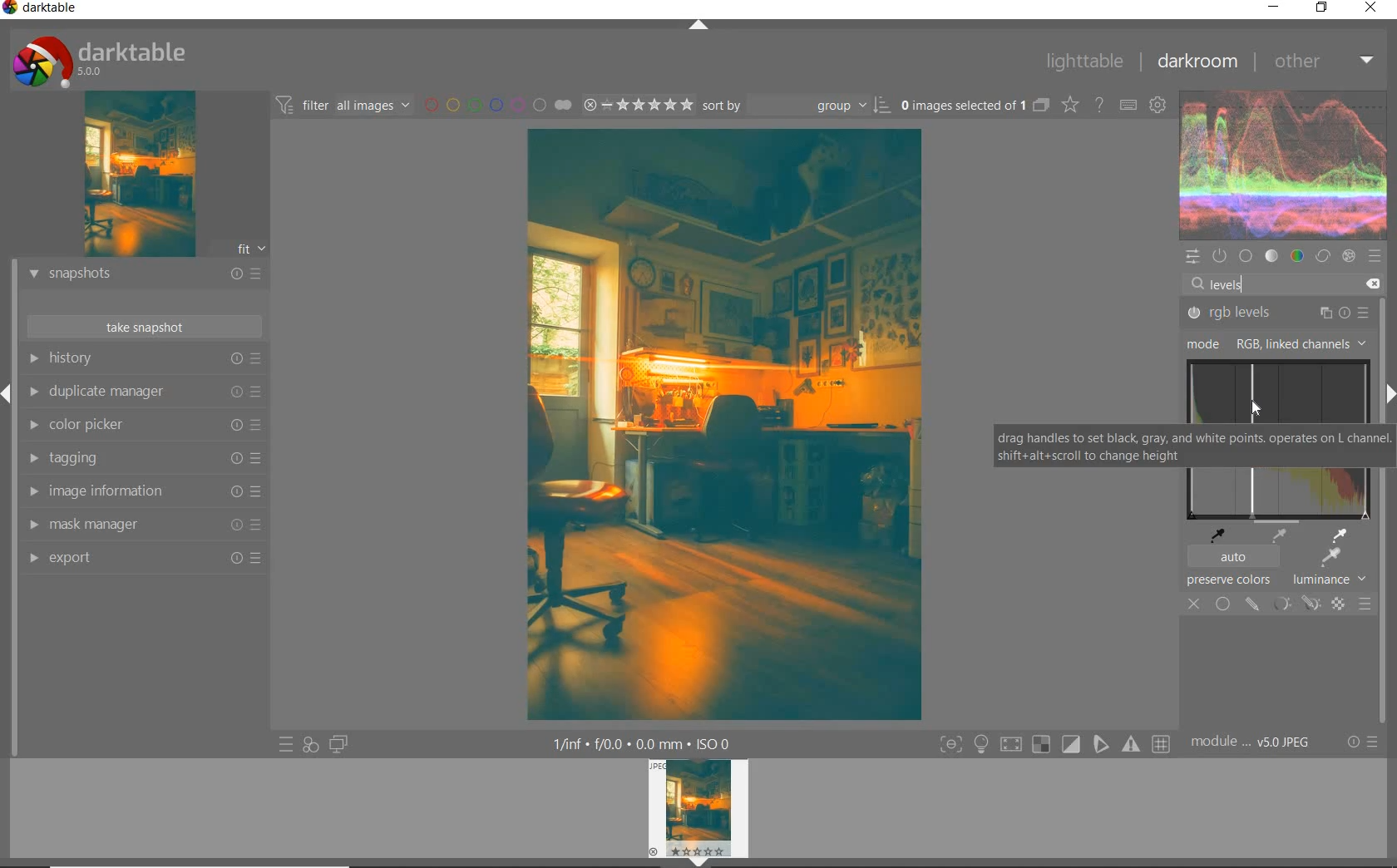  Describe the element at coordinates (287, 743) in the screenshot. I see `quick access to presets` at that location.